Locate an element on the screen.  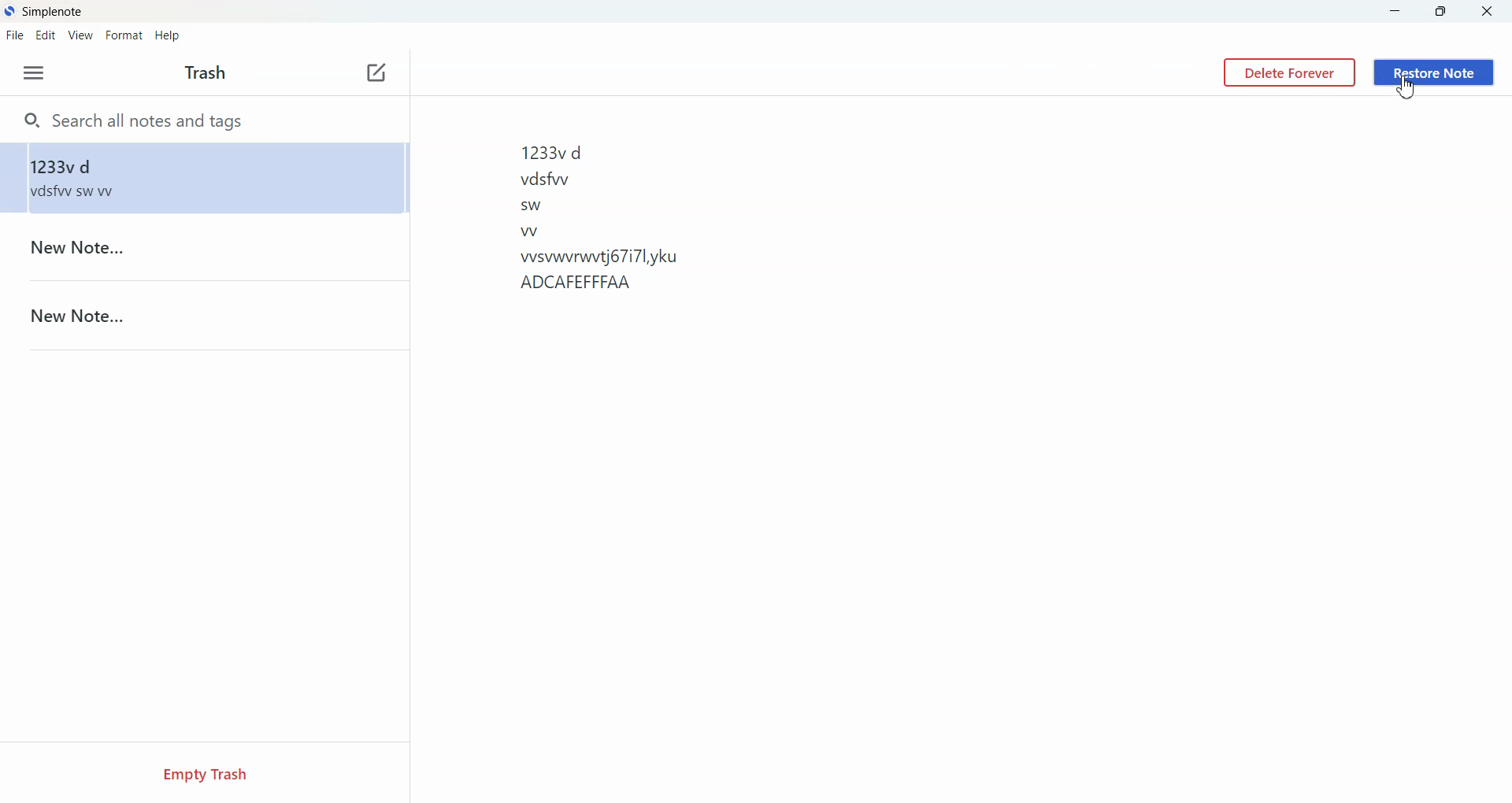
Edit  is located at coordinates (46, 34).